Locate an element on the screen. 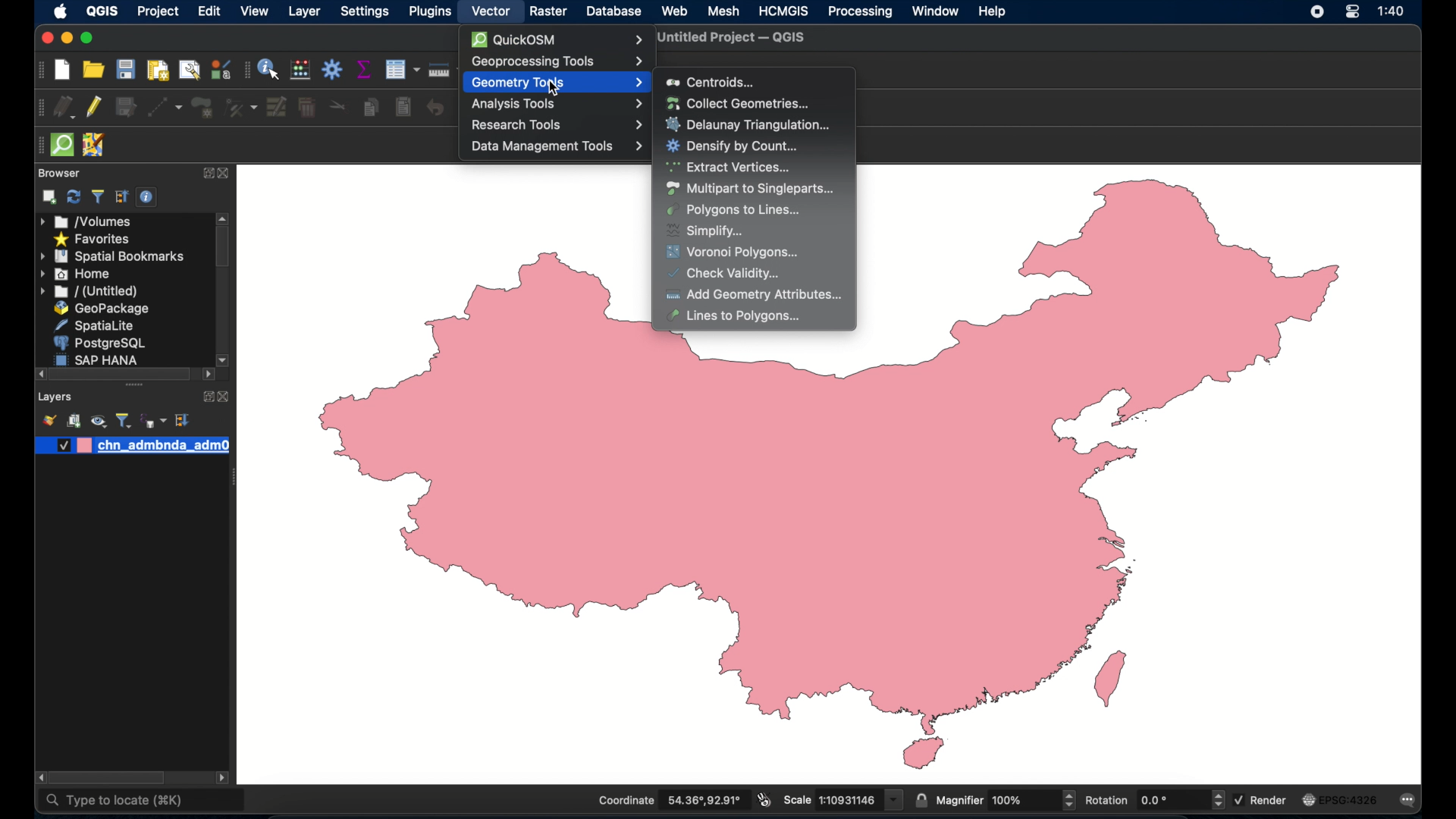  open field calculator is located at coordinates (300, 69).